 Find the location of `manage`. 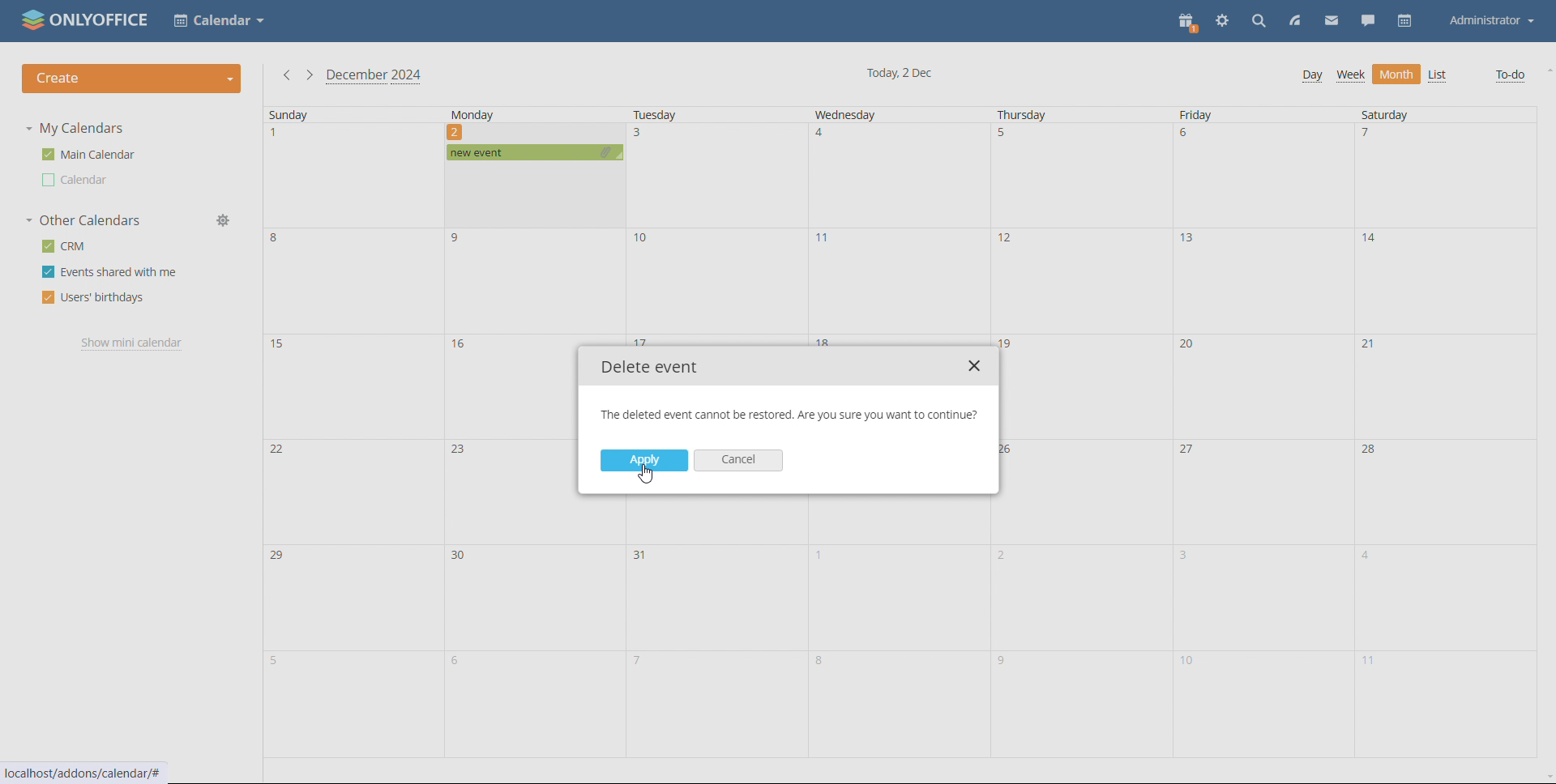

manage is located at coordinates (223, 220).